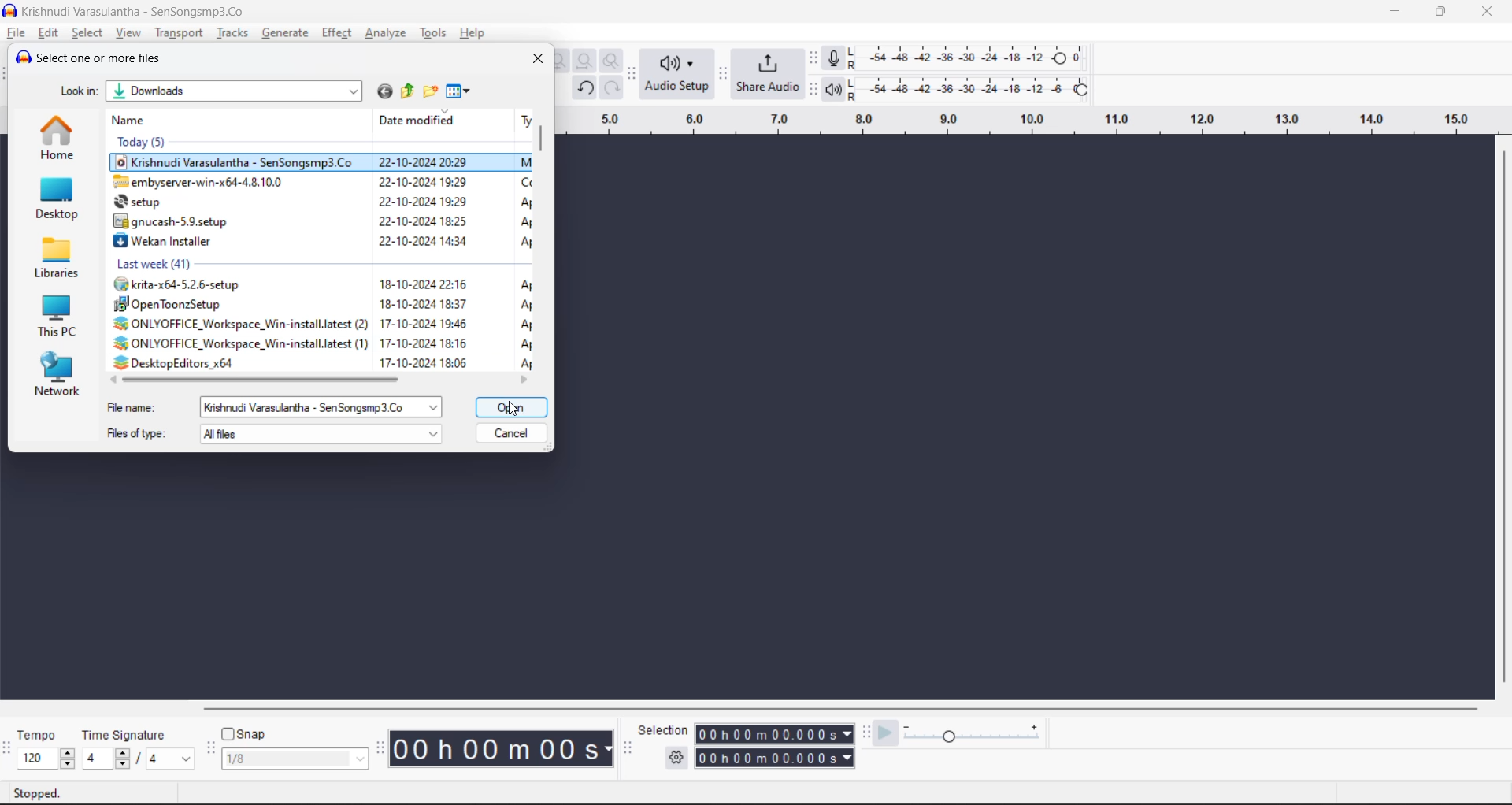 Image resolution: width=1512 pixels, height=805 pixels. I want to click on speed selector, so click(46, 759).